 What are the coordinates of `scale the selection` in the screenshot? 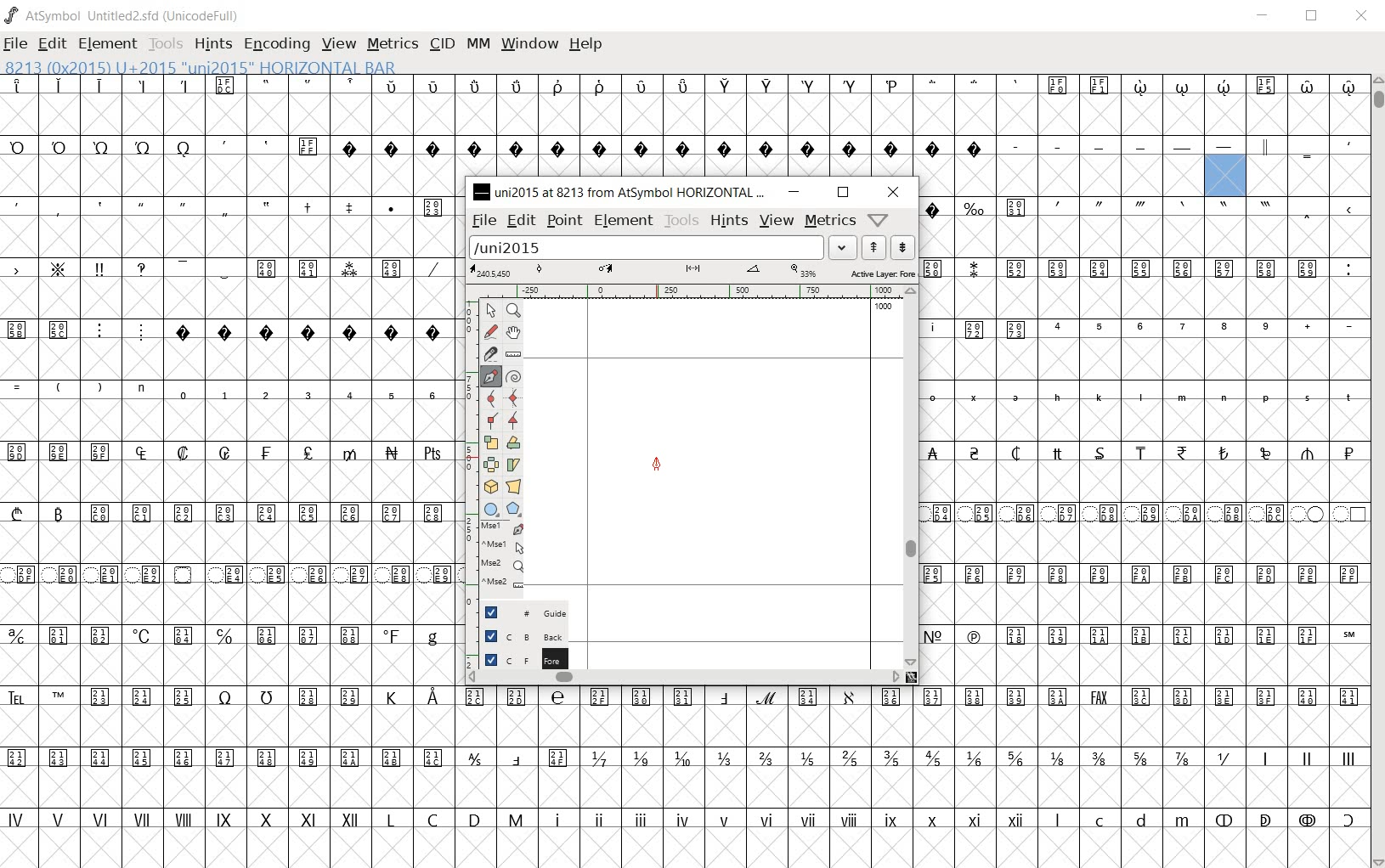 It's located at (490, 442).